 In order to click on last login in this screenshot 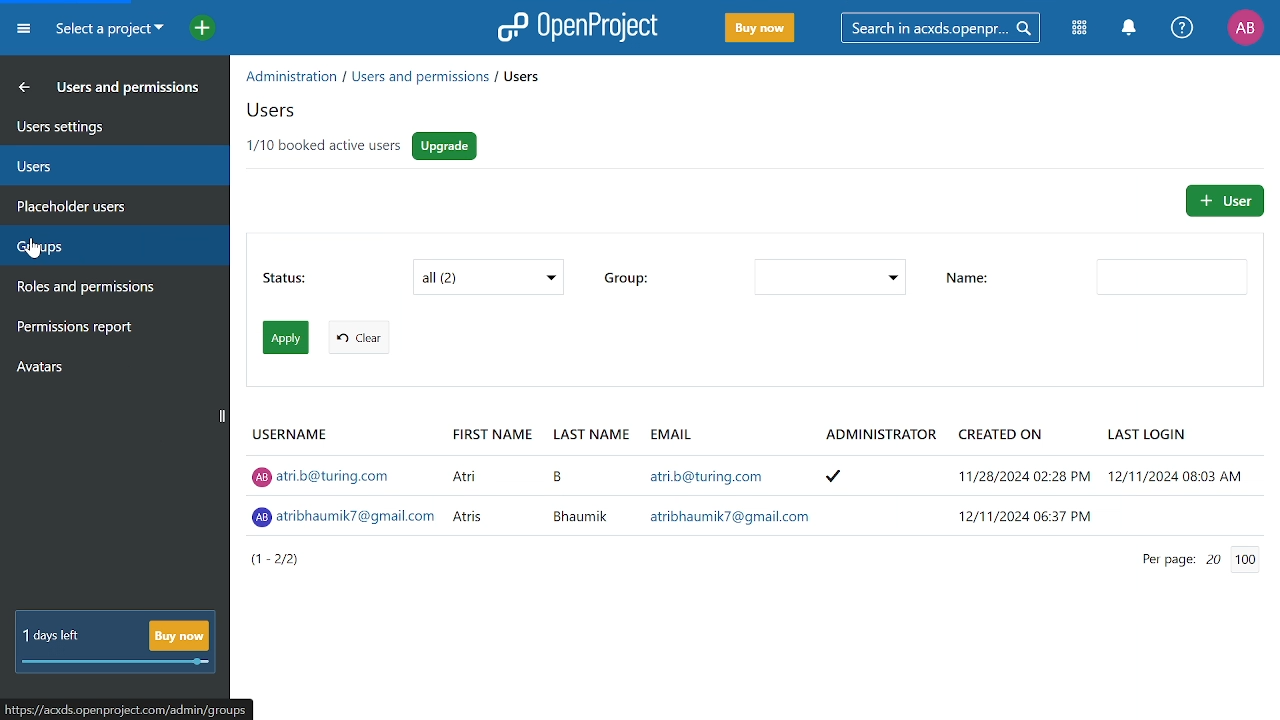, I will do `click(1178, 496)`.